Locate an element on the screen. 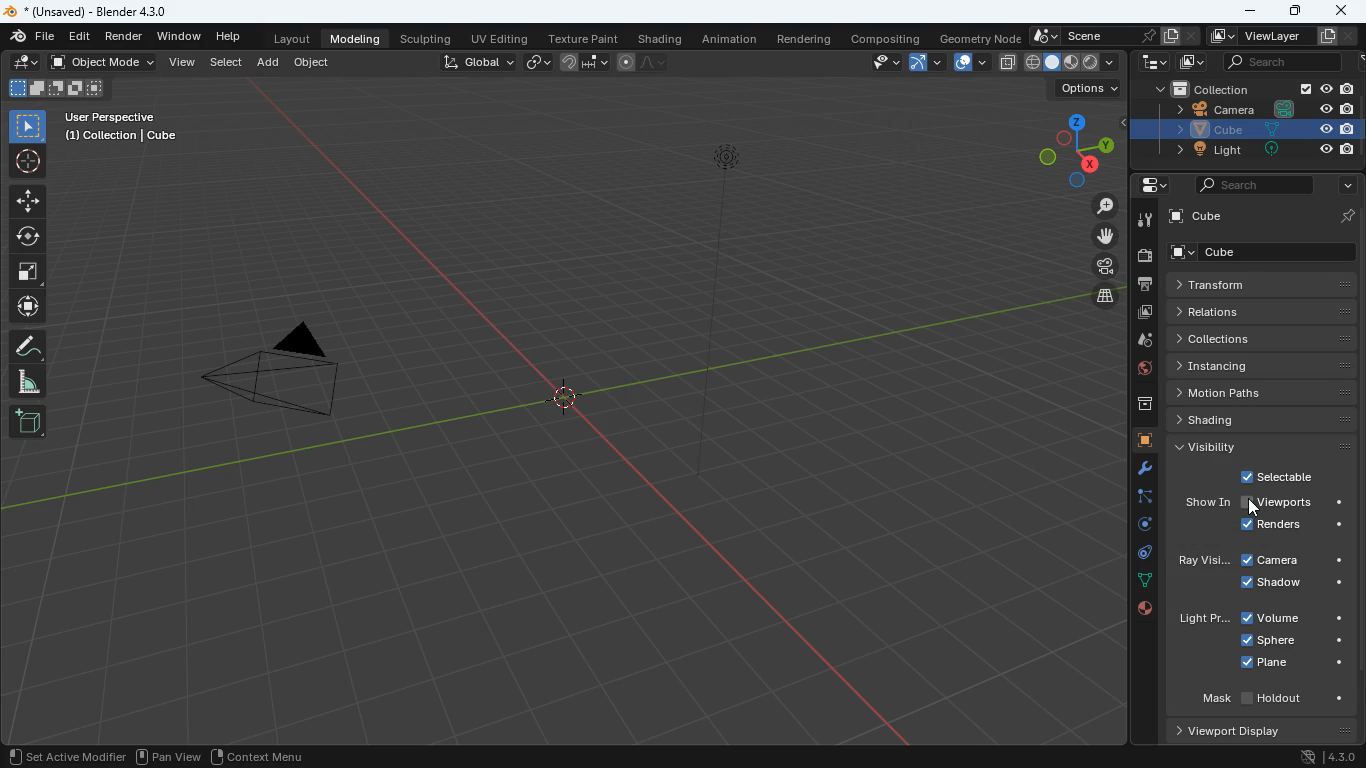 This screenshot has height=768, width=1366. light is located at coordinates (1205, 620).